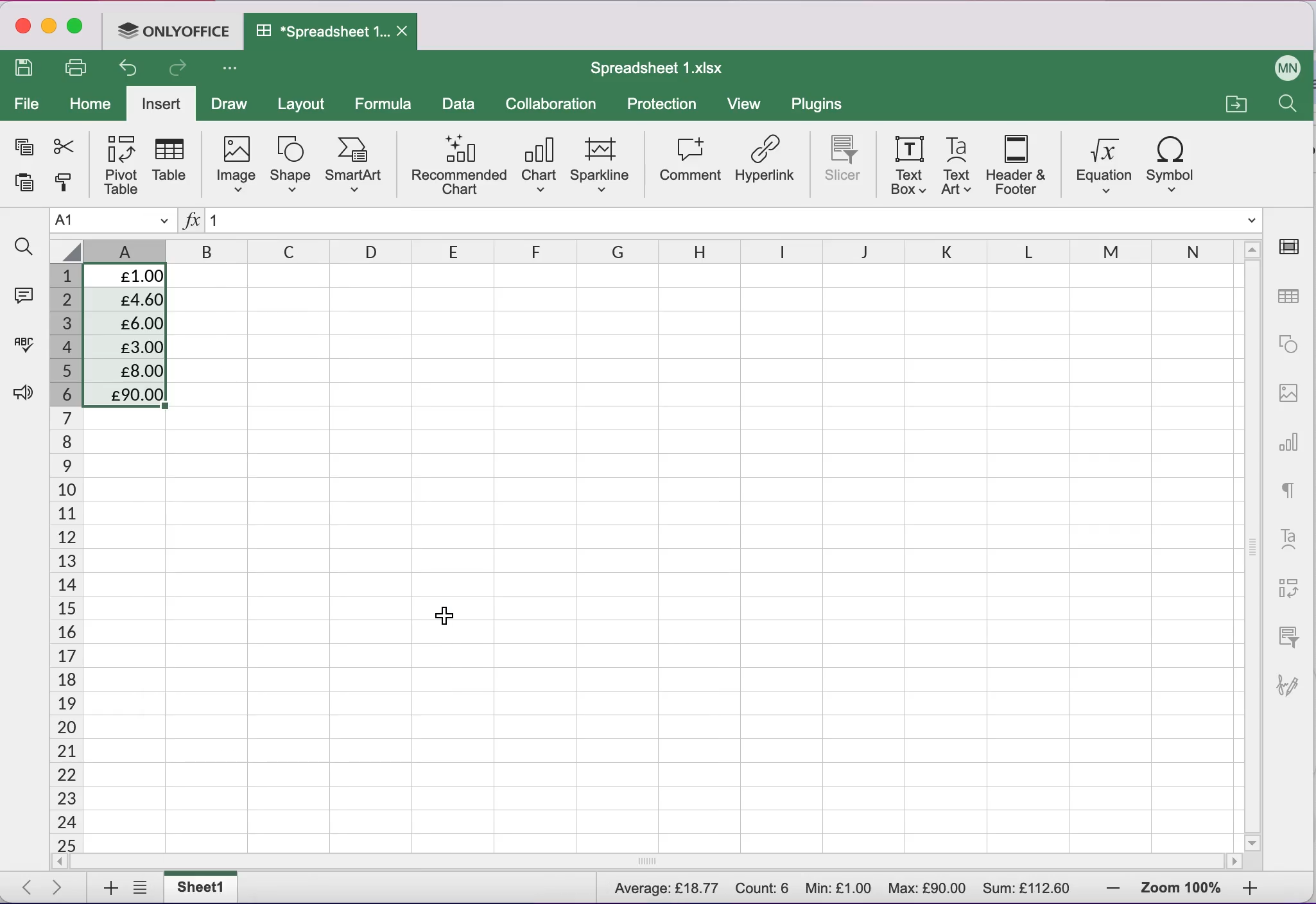  Describe the element at coordinates (442, 617) in the screenshot. I see `Cursor` at that location.